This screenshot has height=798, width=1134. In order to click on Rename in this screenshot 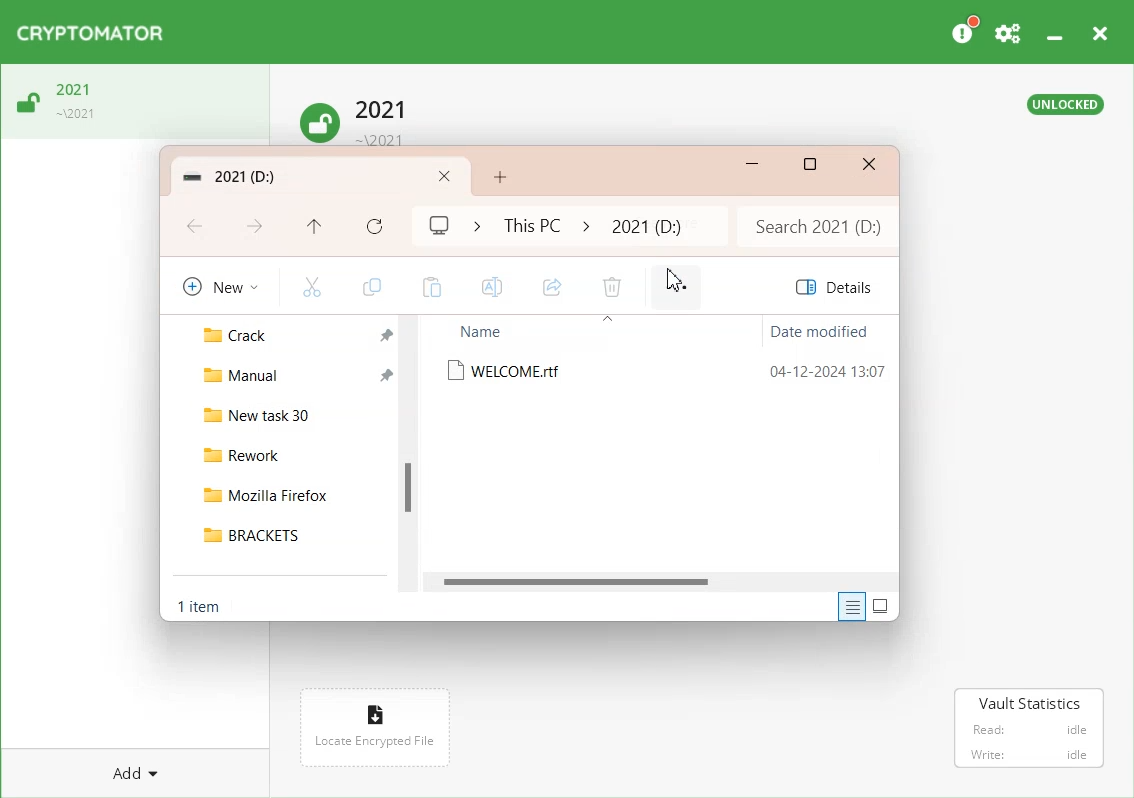, I will do `click(492, 286)`.